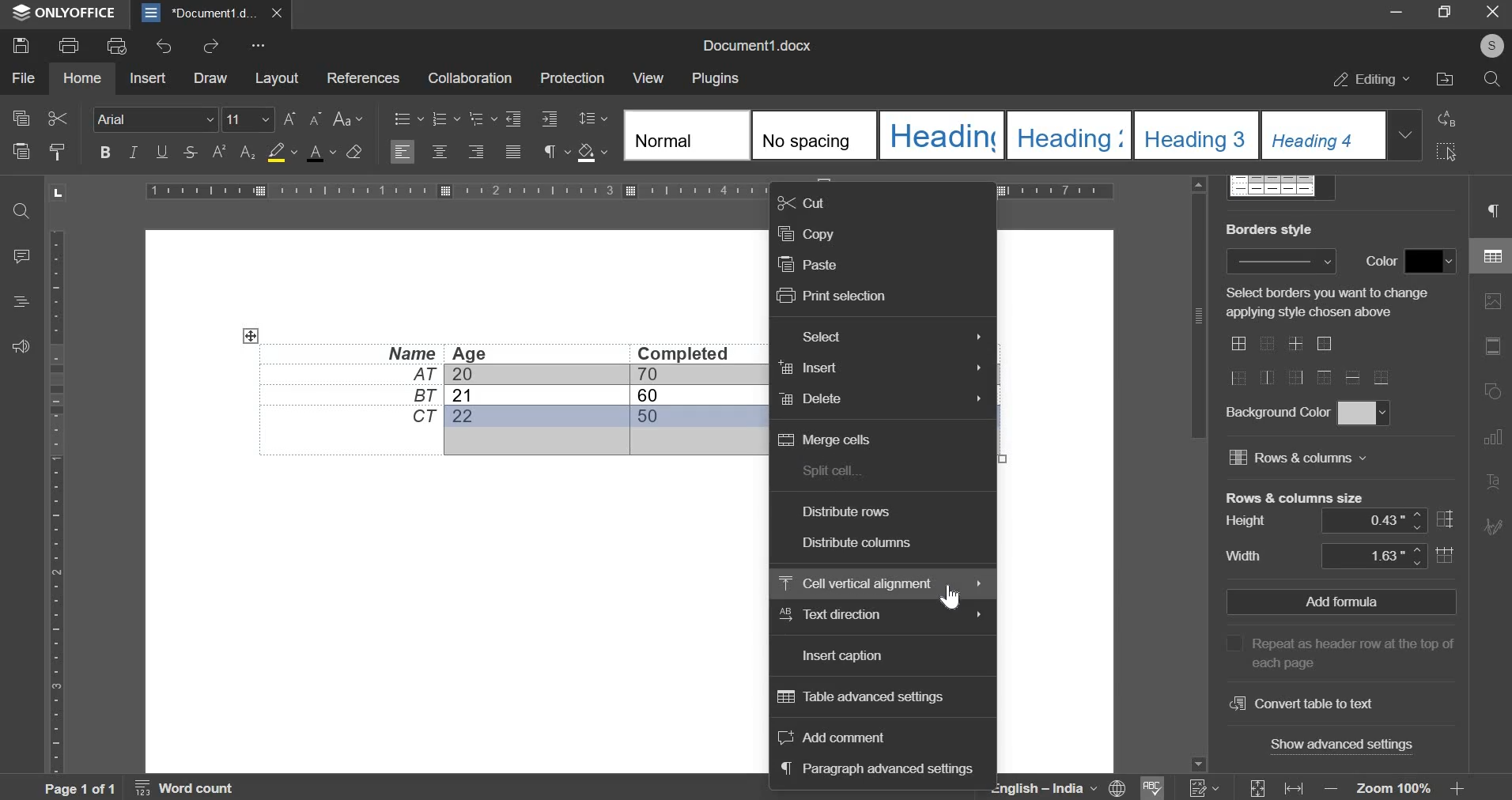  What do you see at coordinates (440, 119) in the screenshot?
I see `numbering` at bounding box center [440, 119].